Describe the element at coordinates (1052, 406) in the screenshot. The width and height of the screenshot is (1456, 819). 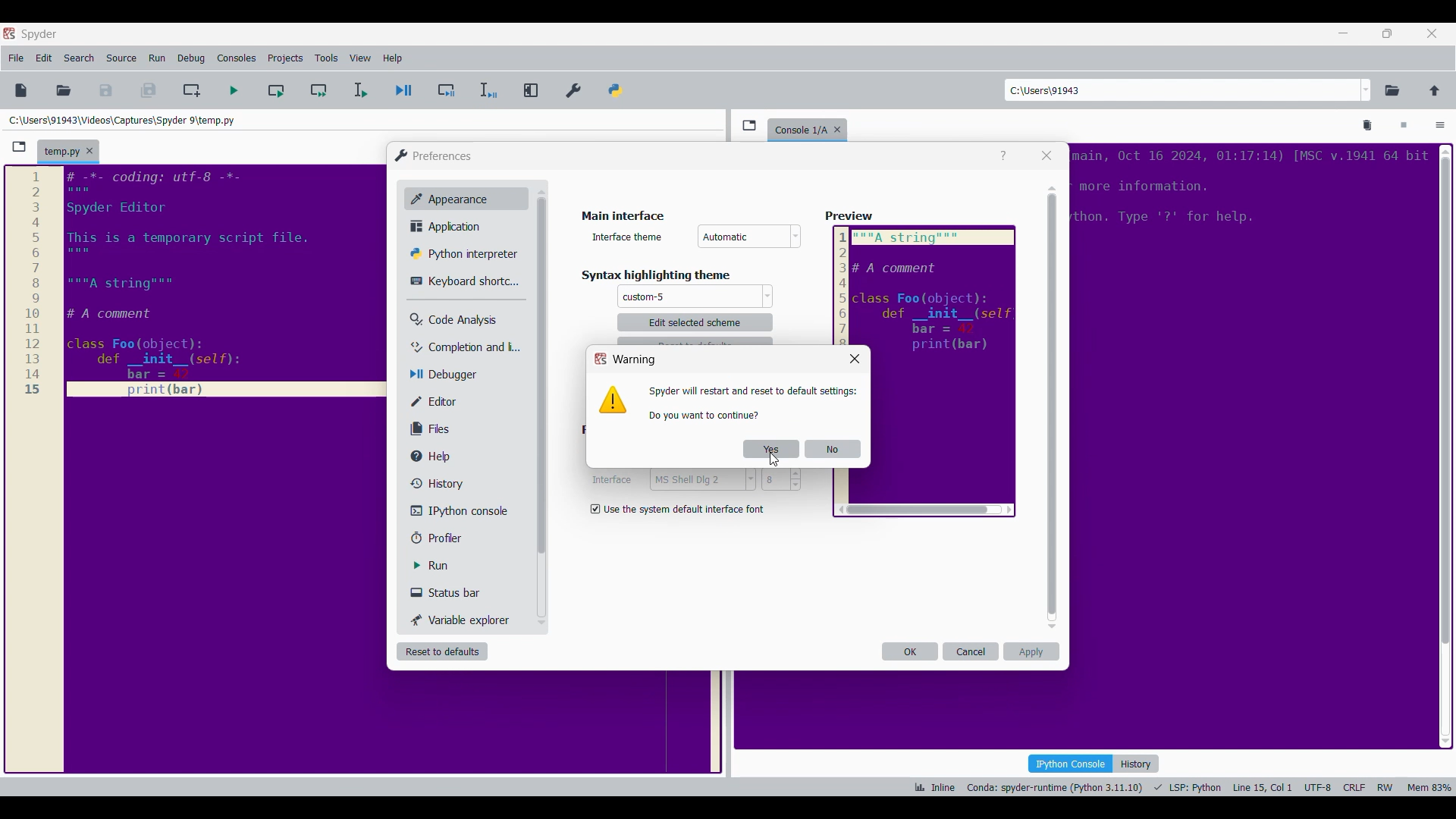
I see `Vertical slide bar` at that location.